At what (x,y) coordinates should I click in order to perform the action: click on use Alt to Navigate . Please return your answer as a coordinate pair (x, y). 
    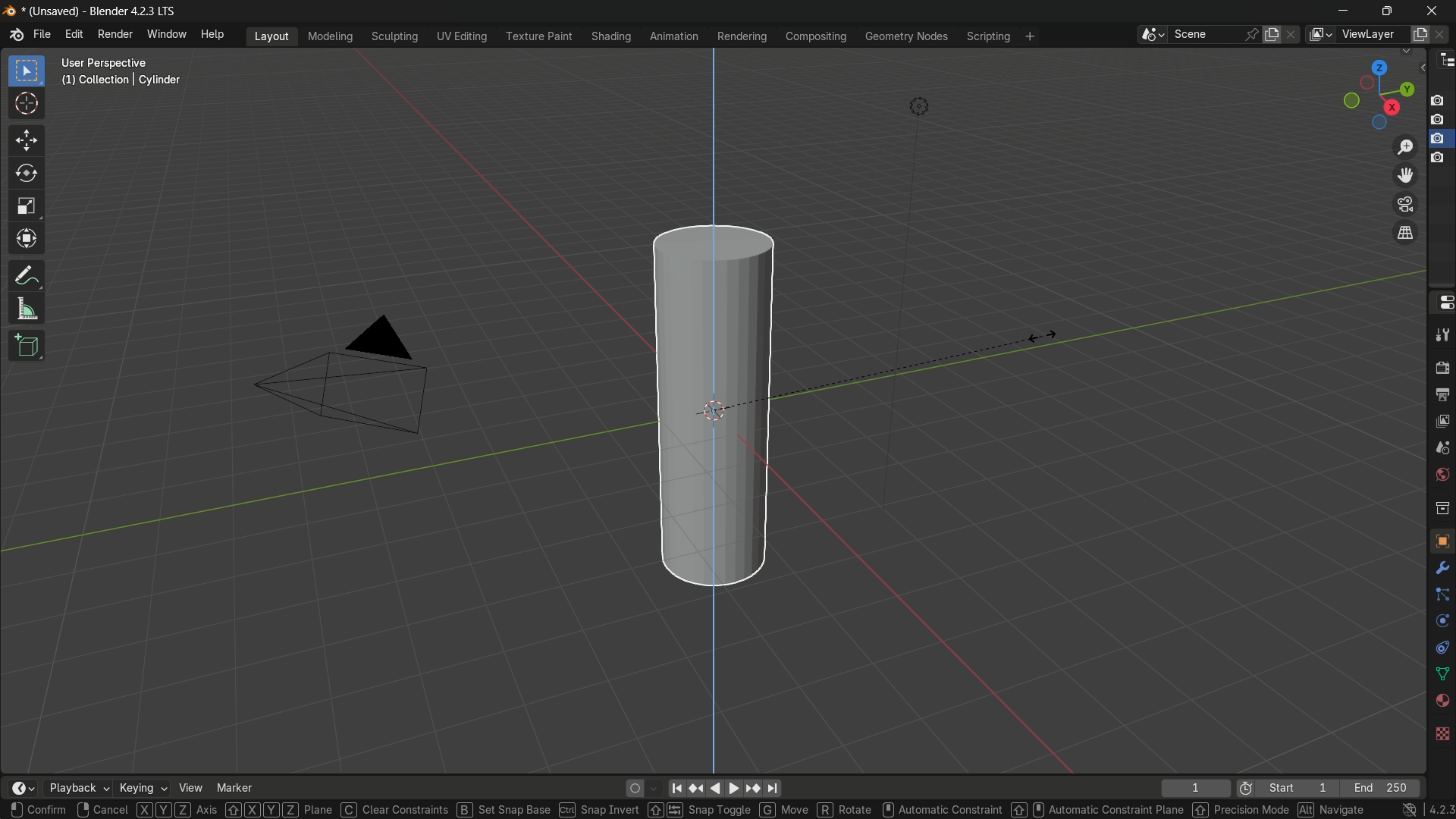
    Looking at the image, I should click on (1333, 810).